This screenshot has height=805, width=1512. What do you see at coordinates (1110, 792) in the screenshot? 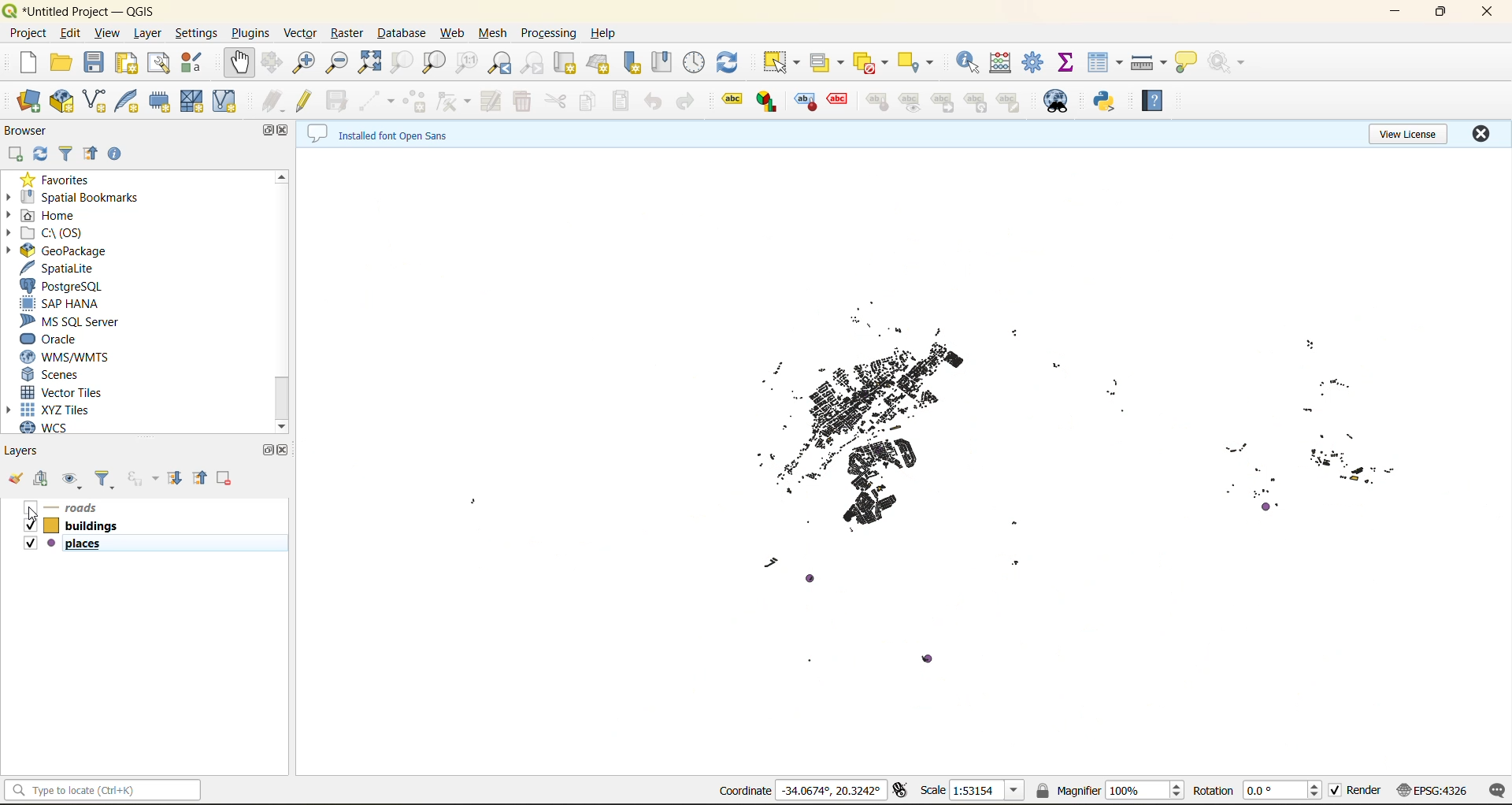
I see `magnifier` at bounding box center [1110, 792].